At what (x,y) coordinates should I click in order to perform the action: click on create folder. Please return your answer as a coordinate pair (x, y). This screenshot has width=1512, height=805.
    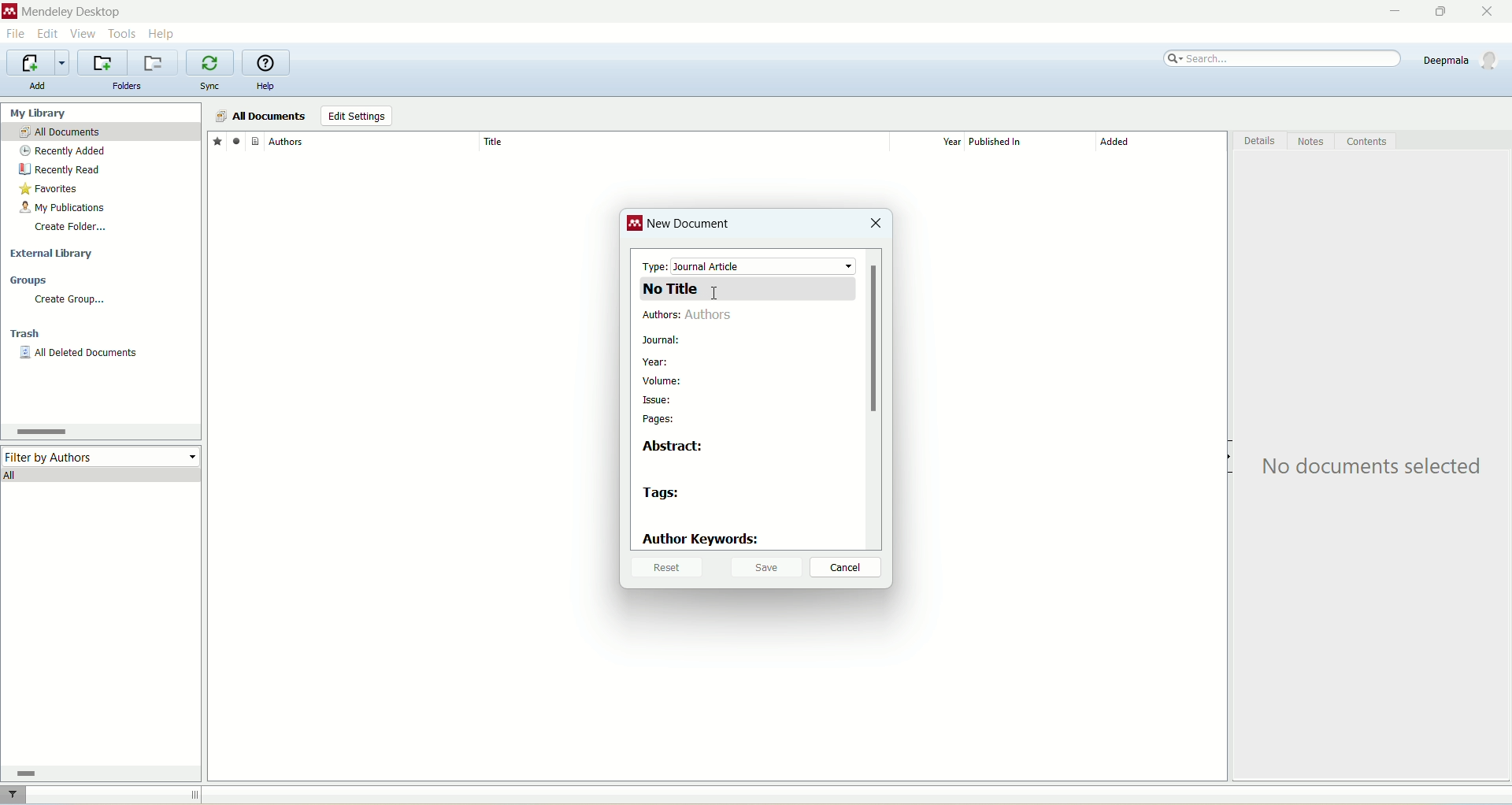
    Looking at the image, I should click on (70, 226).